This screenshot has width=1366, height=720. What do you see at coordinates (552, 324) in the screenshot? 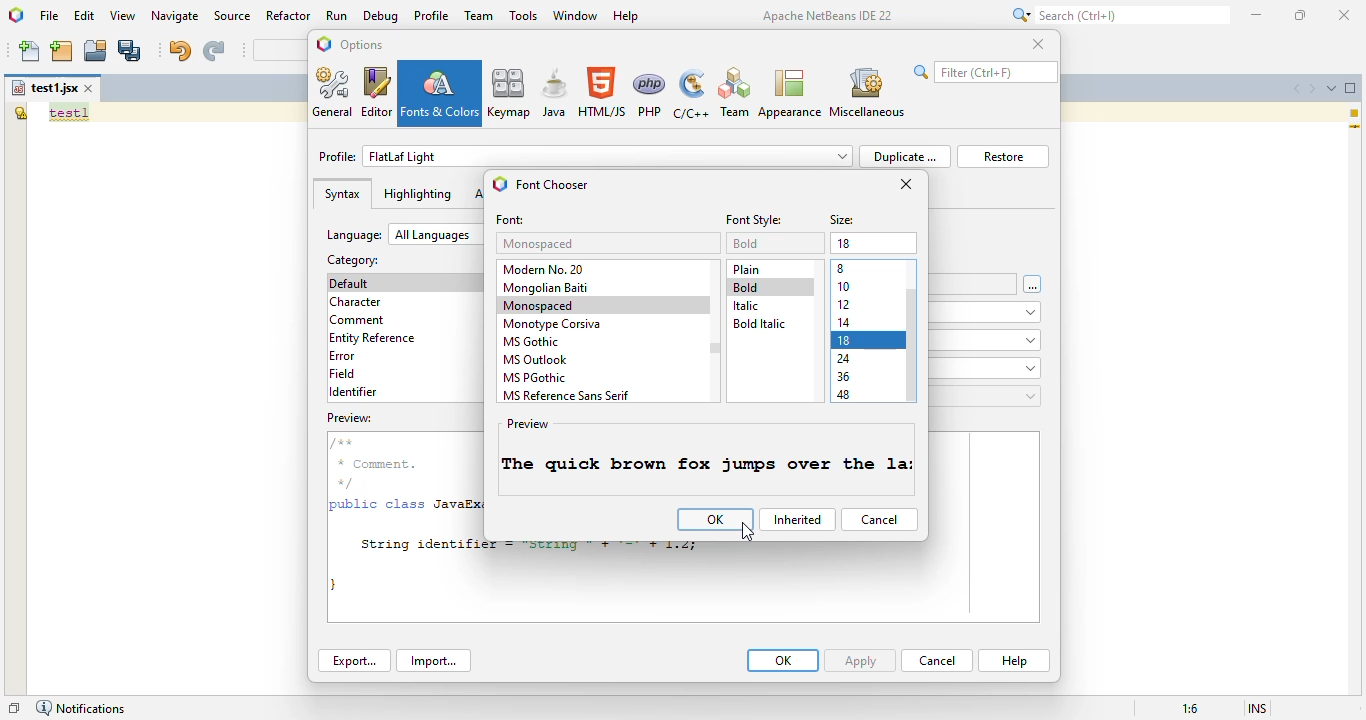
I see `monotype corsiva` at bounding box center [552, 324].